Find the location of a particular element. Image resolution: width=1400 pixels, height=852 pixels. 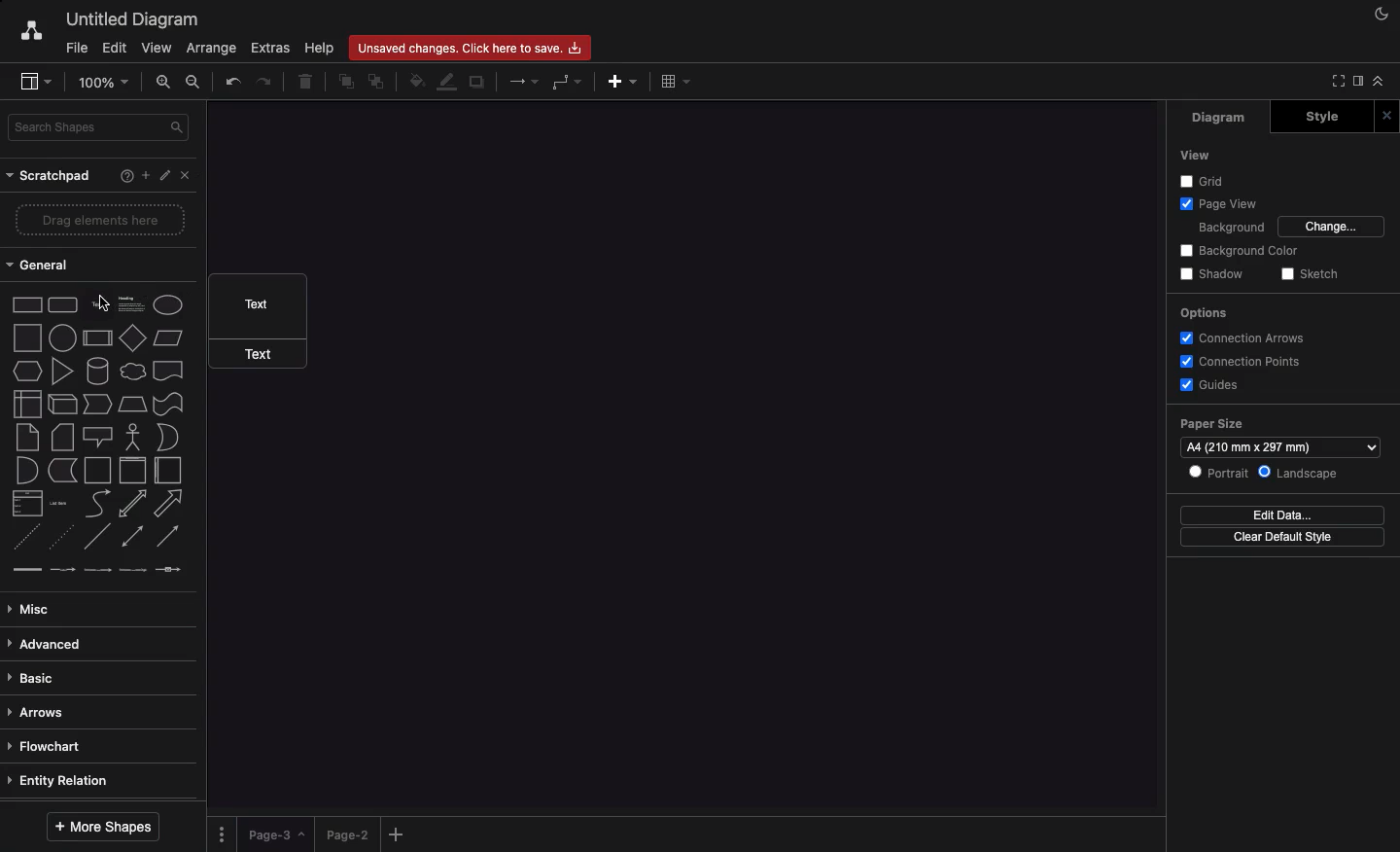

trapezoid is located at coordinates (132, 405).